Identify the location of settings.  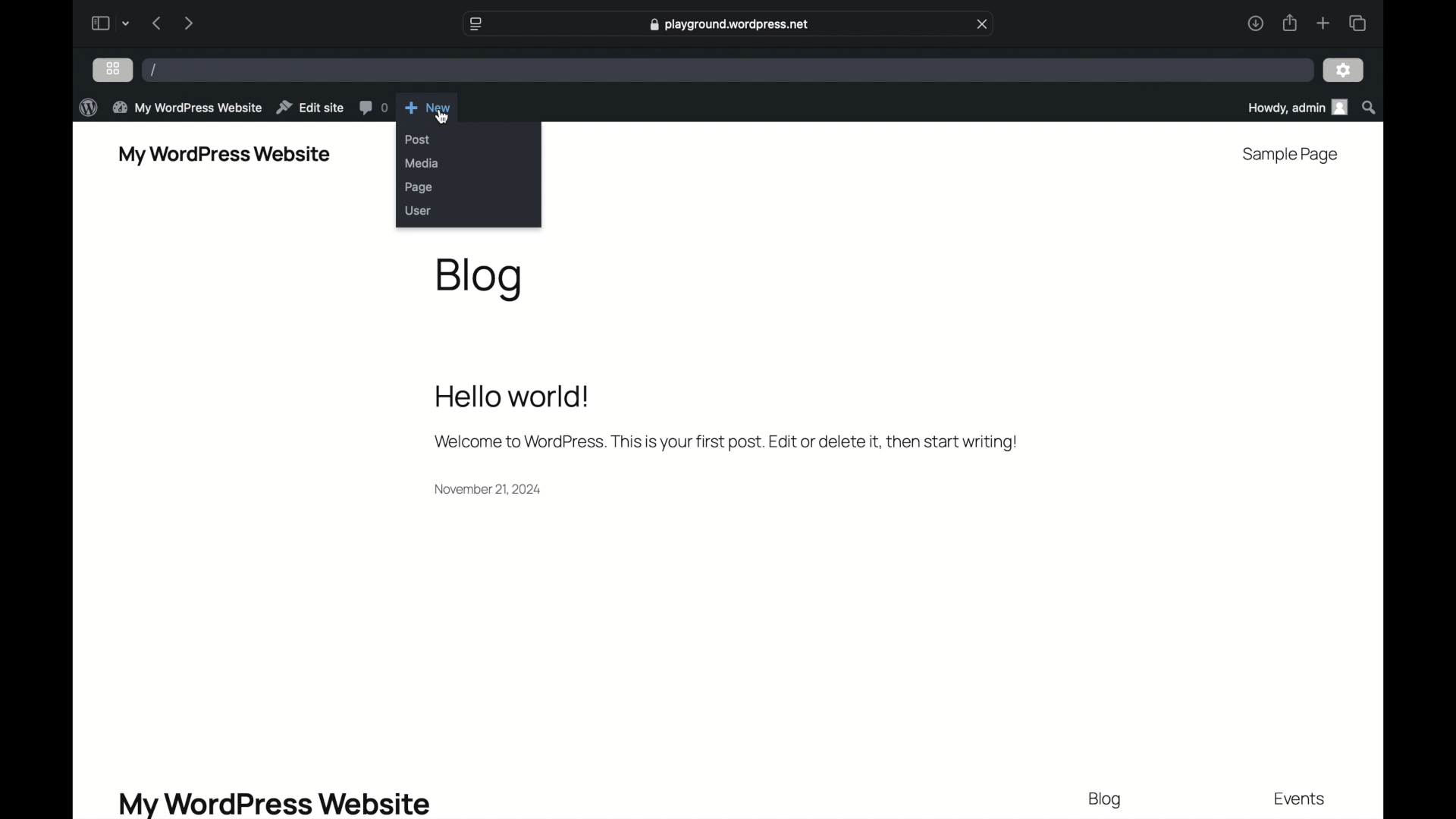
(1344, 71).